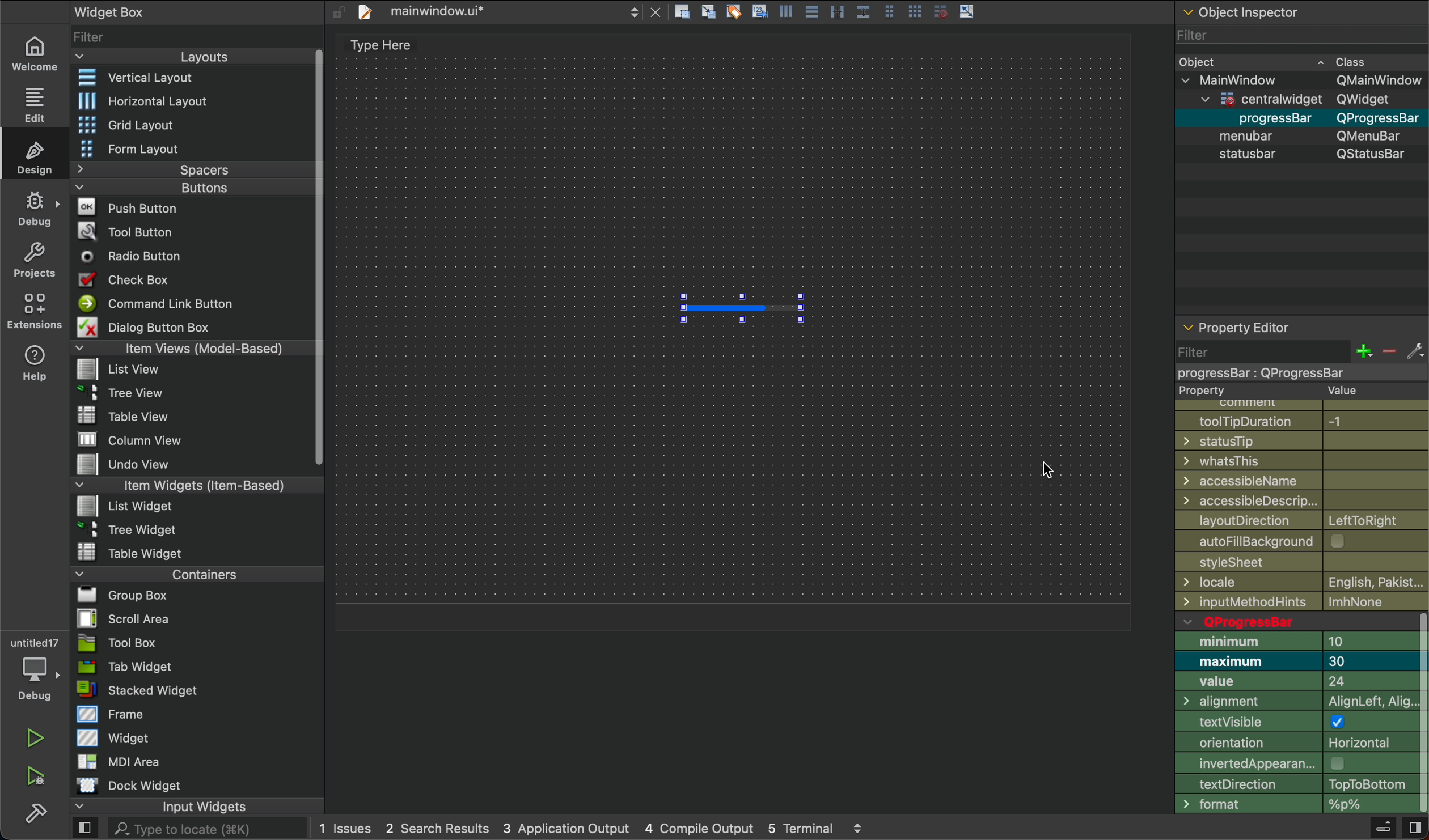 The width and height of the screenshot is (1429, 840). What do you see at coordinates (33, 52) in the screenshot?
I see `welcome` at bounding box center [33, 52].